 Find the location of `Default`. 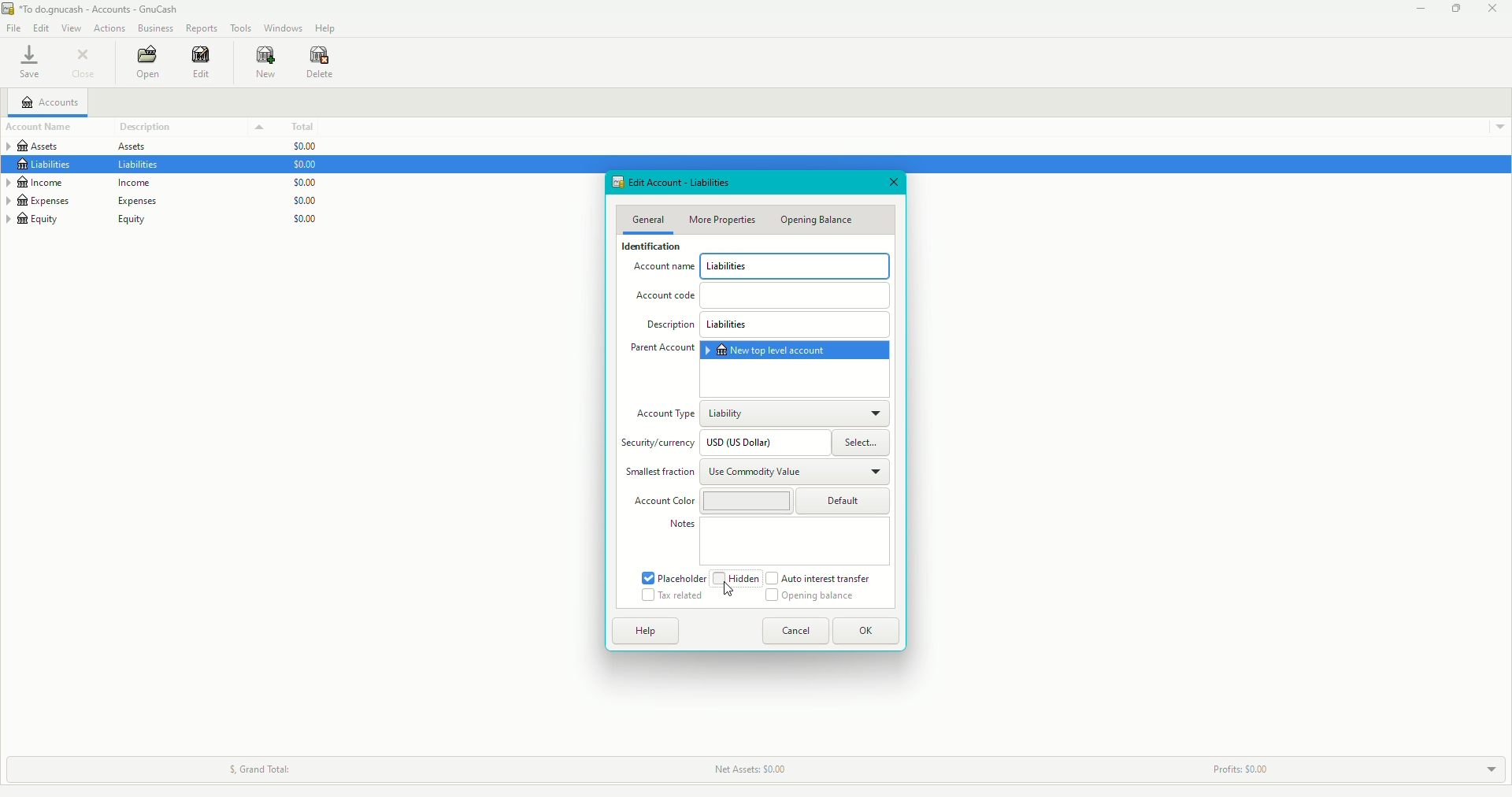

Default is located at coordinates (796, 501).